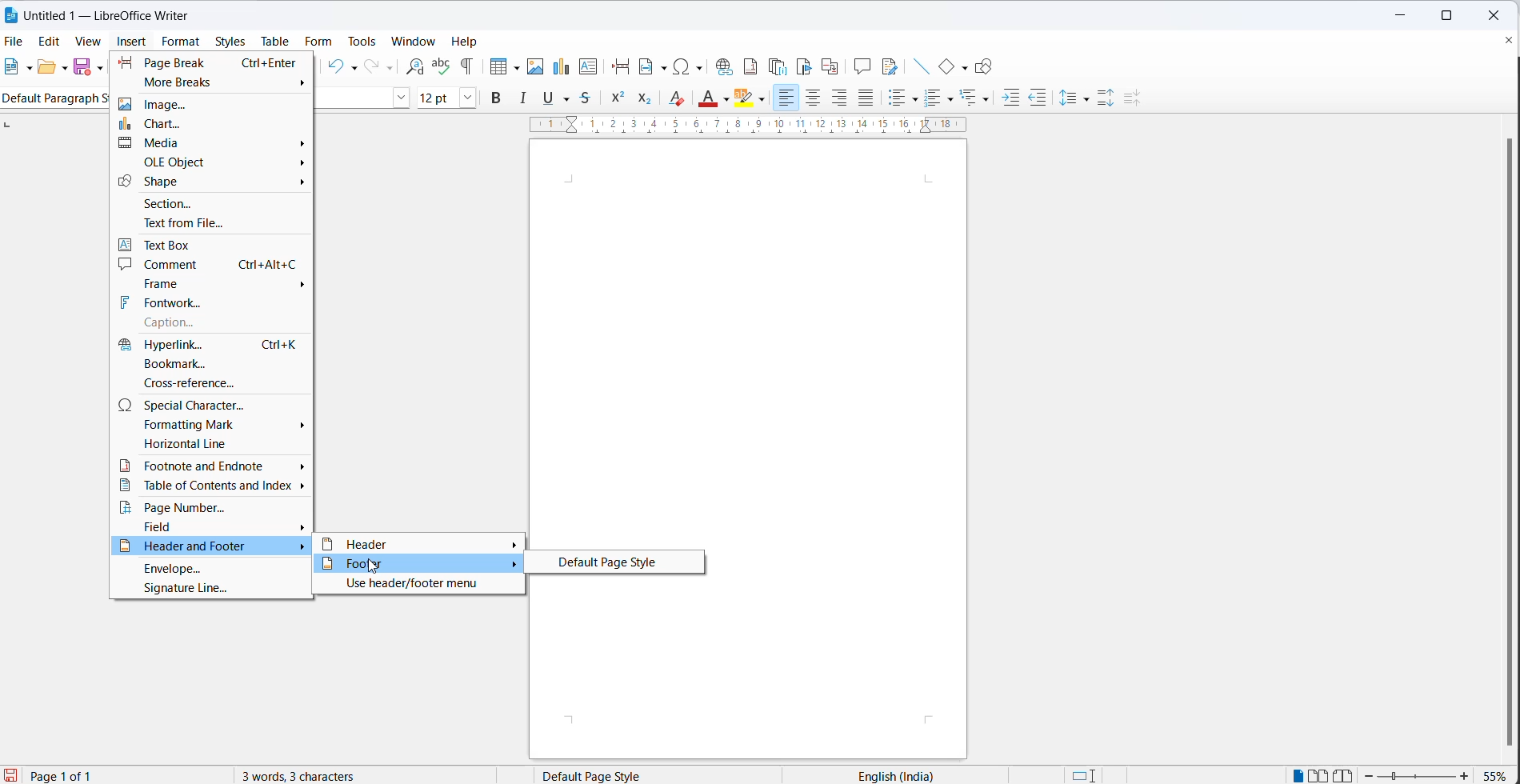 This screenshot has width=1520, height=784. Describe the element at coordinates (215, 506) in the screenshot. I see `page number` at that location.